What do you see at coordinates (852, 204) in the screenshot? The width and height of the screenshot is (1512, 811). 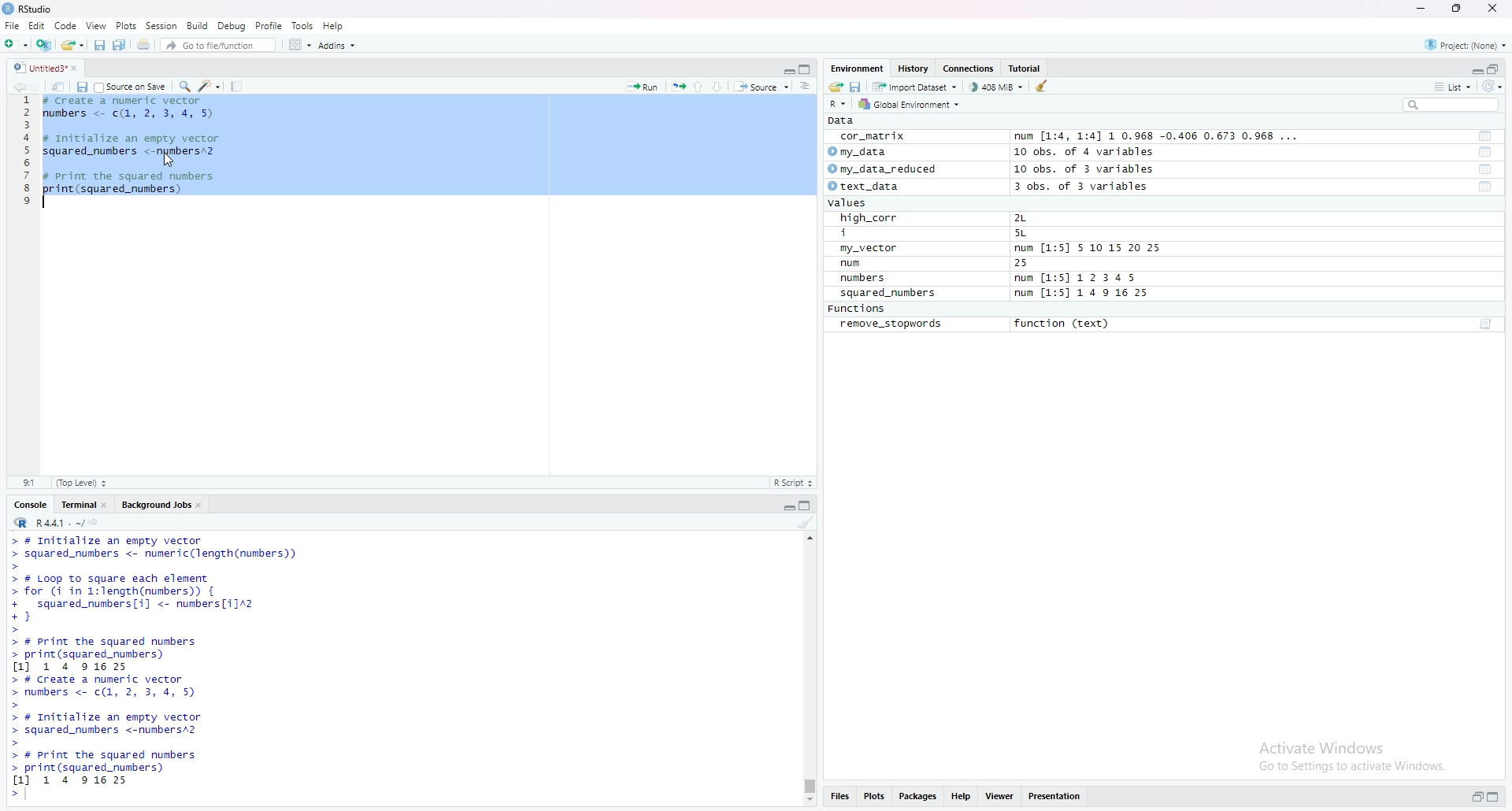 I see `values` at bounding box center [852, 204].